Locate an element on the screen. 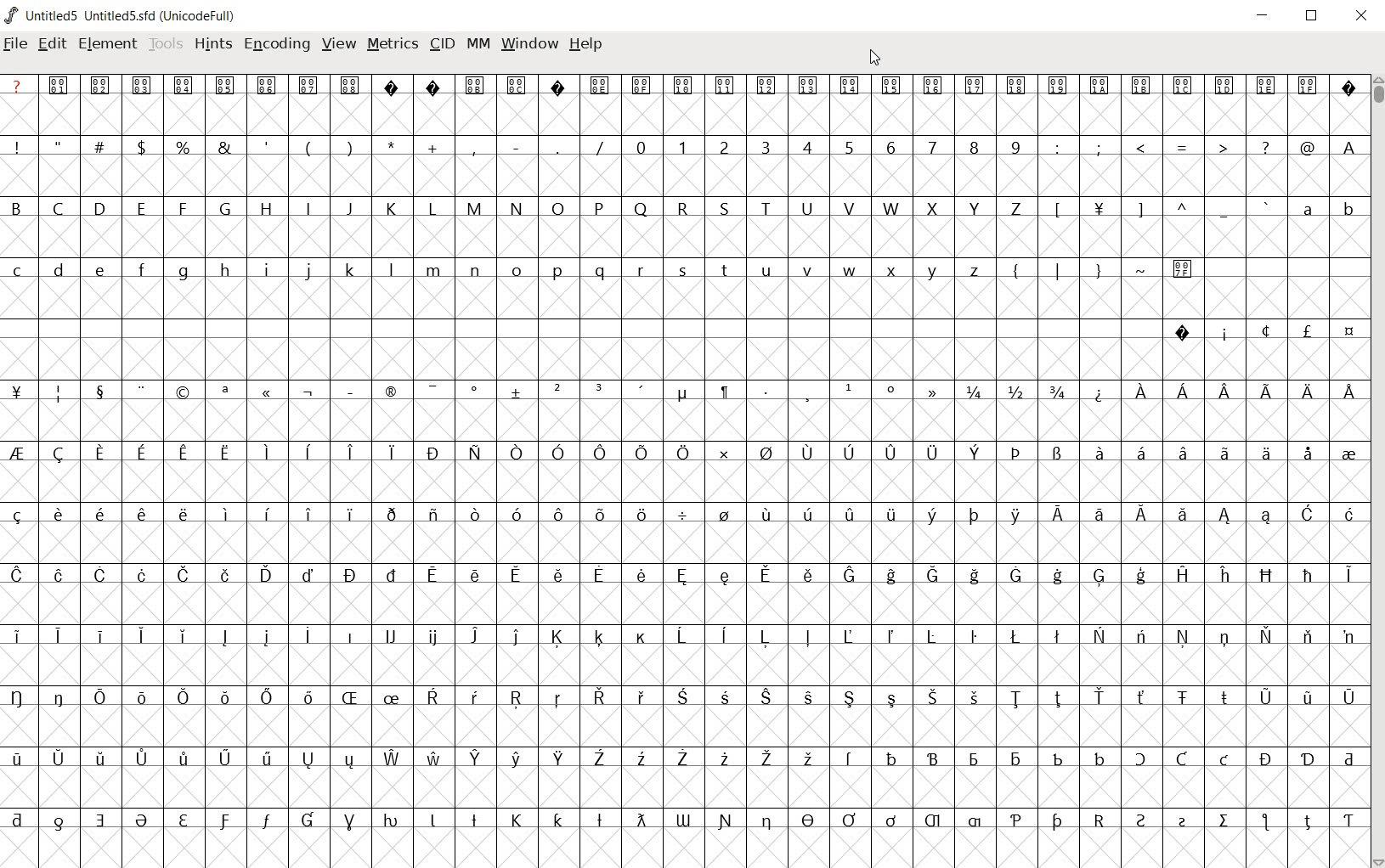 The image size is (1385, 868). Symbol is located at coordinates (1266, 758).